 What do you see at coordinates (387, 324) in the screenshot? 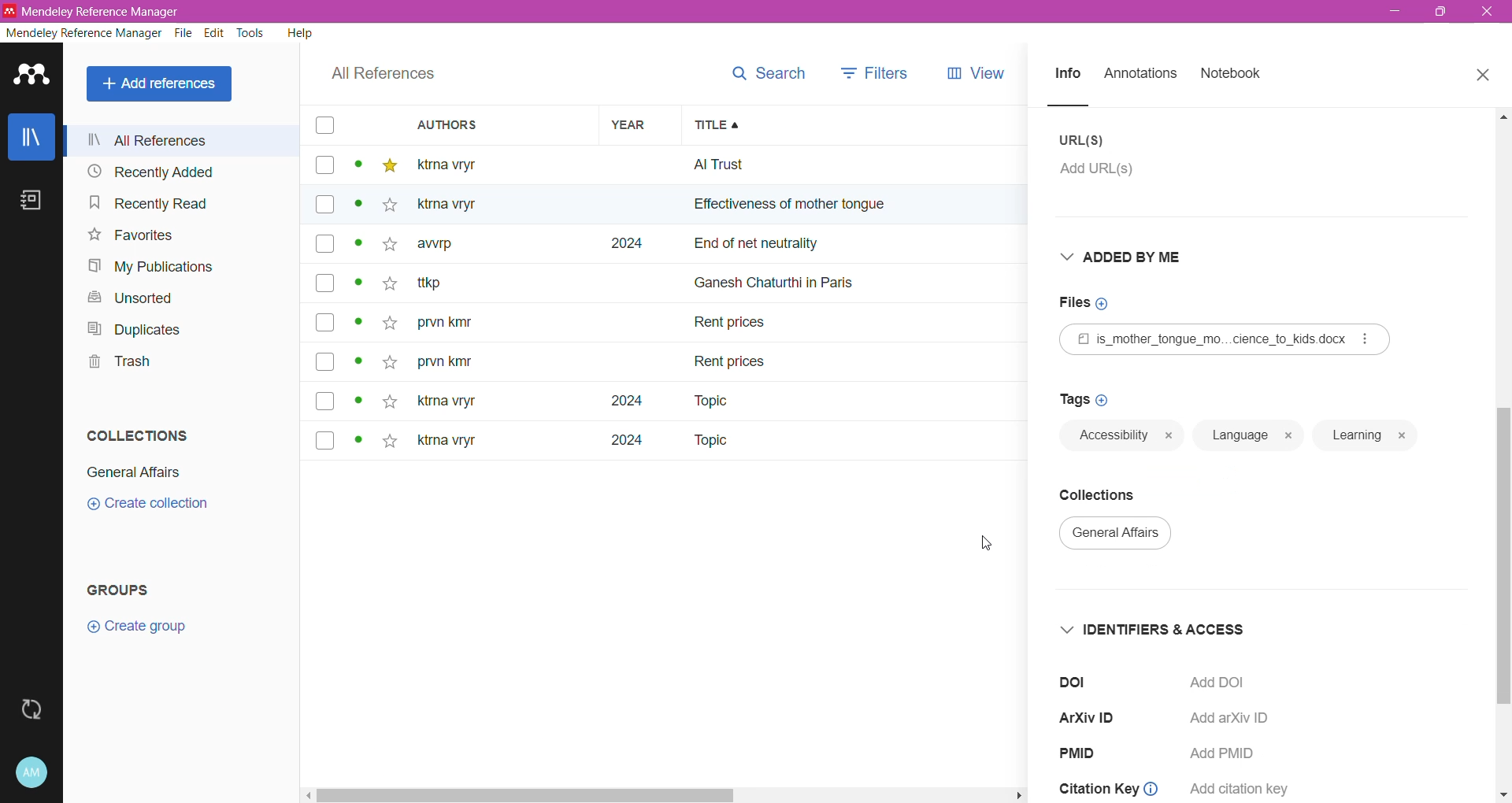
I see `star` at bounding box center [387, 324].